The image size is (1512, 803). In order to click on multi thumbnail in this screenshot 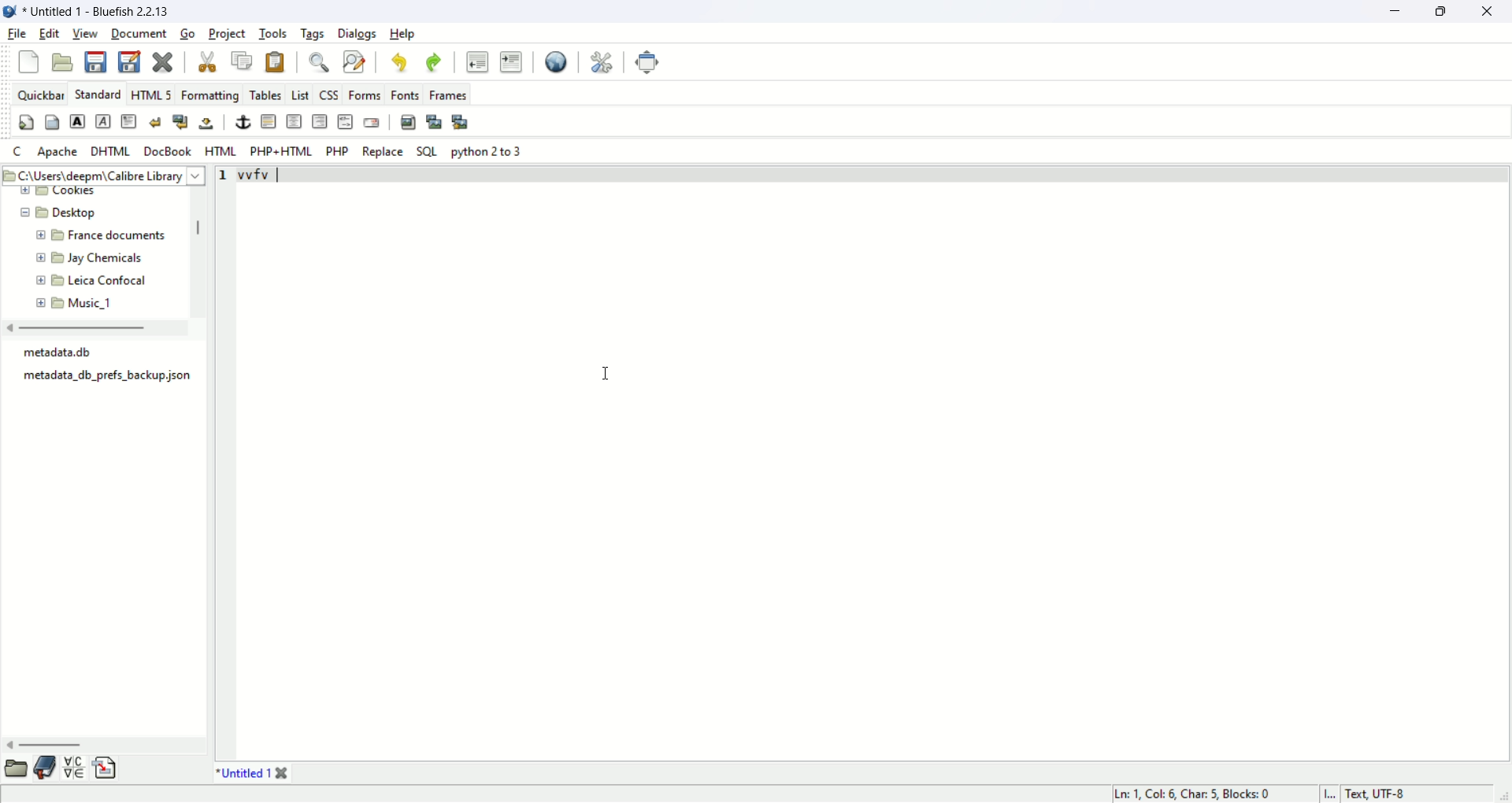, I will do `click(469, 122)`.